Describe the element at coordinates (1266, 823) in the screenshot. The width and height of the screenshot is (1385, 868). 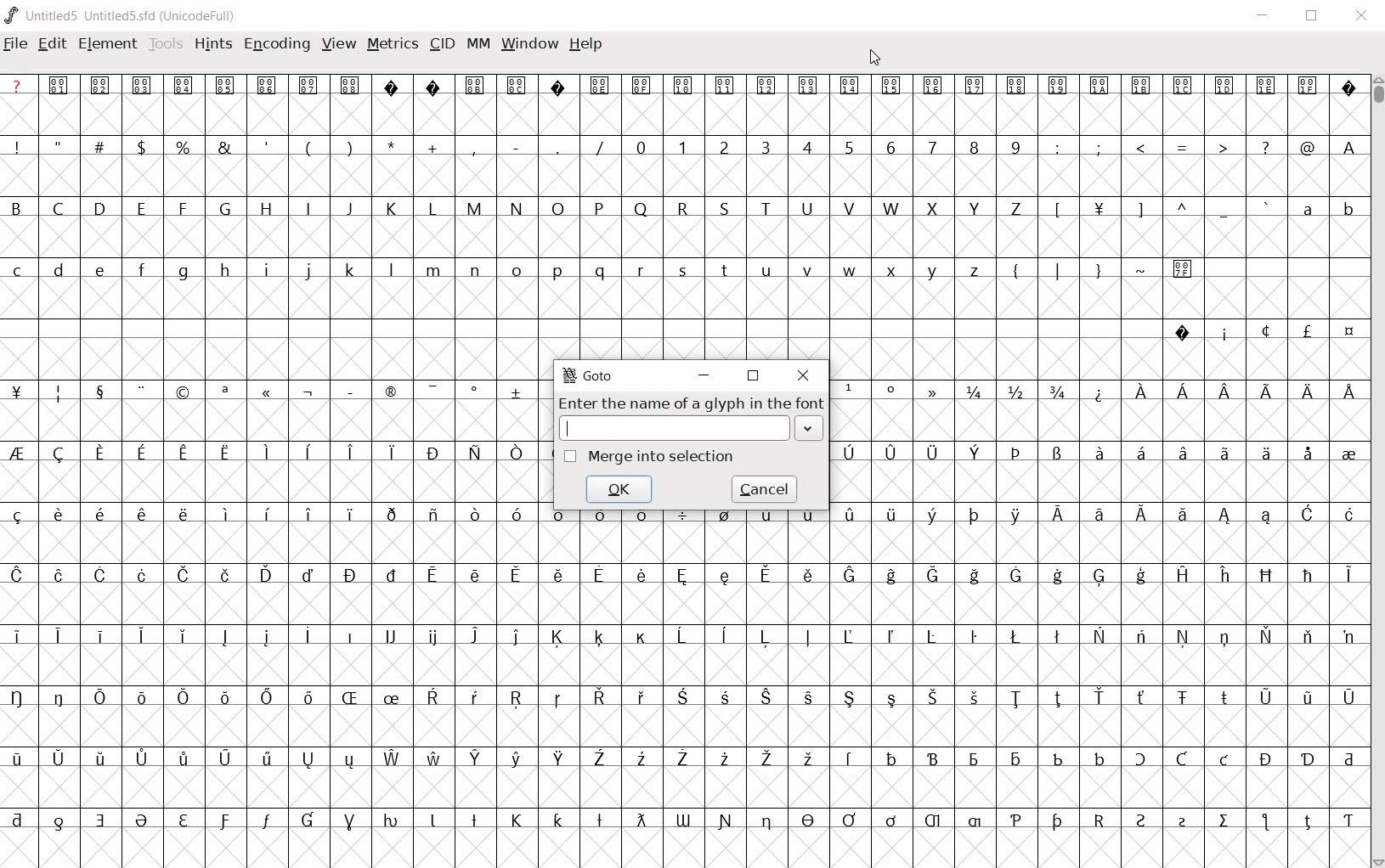
I see `Symbol` at that location.